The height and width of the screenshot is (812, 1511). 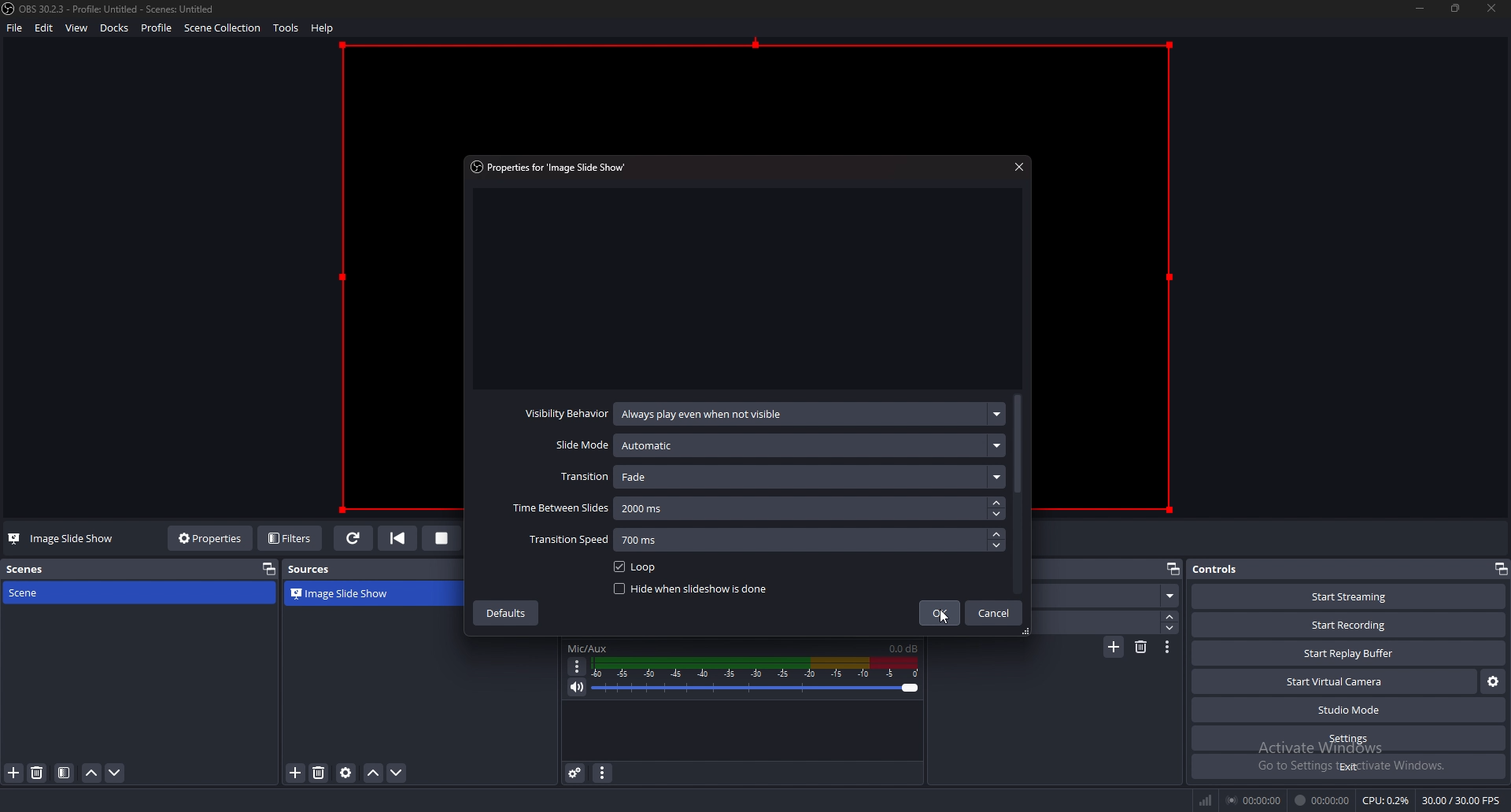 What do you see at coordinates (592, 648) in the screenshot?
I see `mic/aux` at bounding box center [592, 648].